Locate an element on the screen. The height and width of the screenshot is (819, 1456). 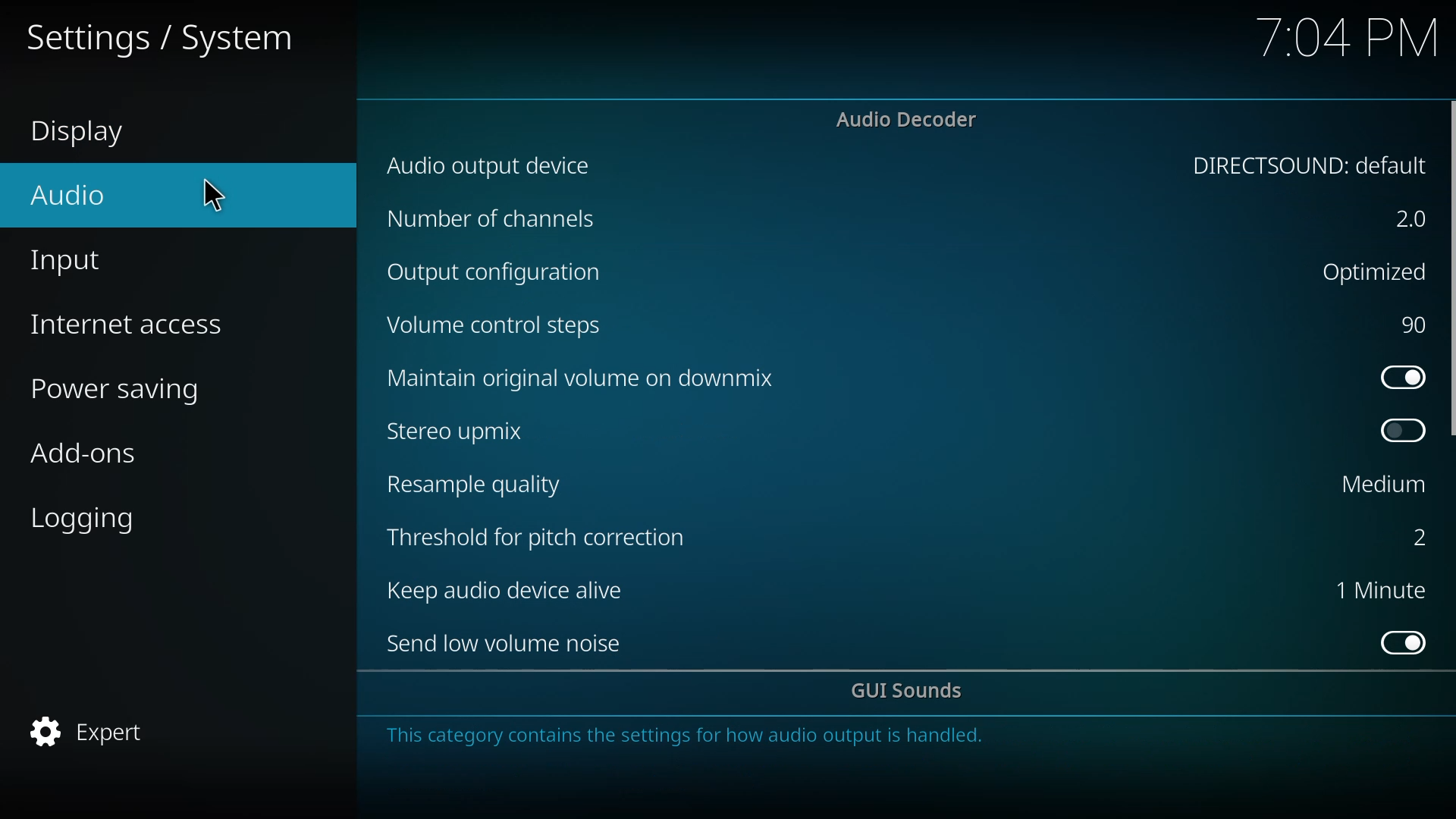
90 is located at coordinates (1416, 325).